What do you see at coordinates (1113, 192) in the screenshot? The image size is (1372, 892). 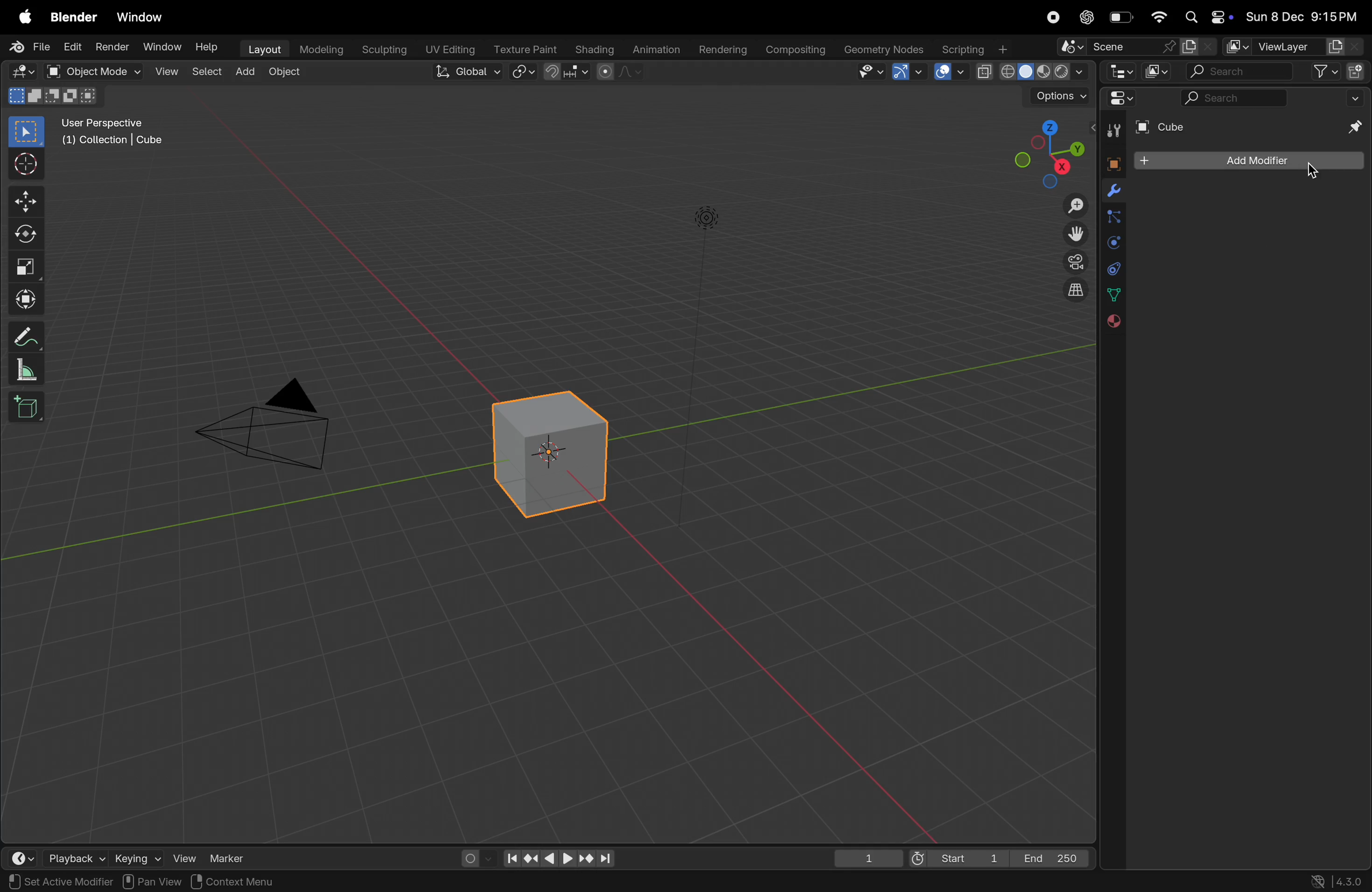 I see `modifiers` at bounding box center [1113, 192].